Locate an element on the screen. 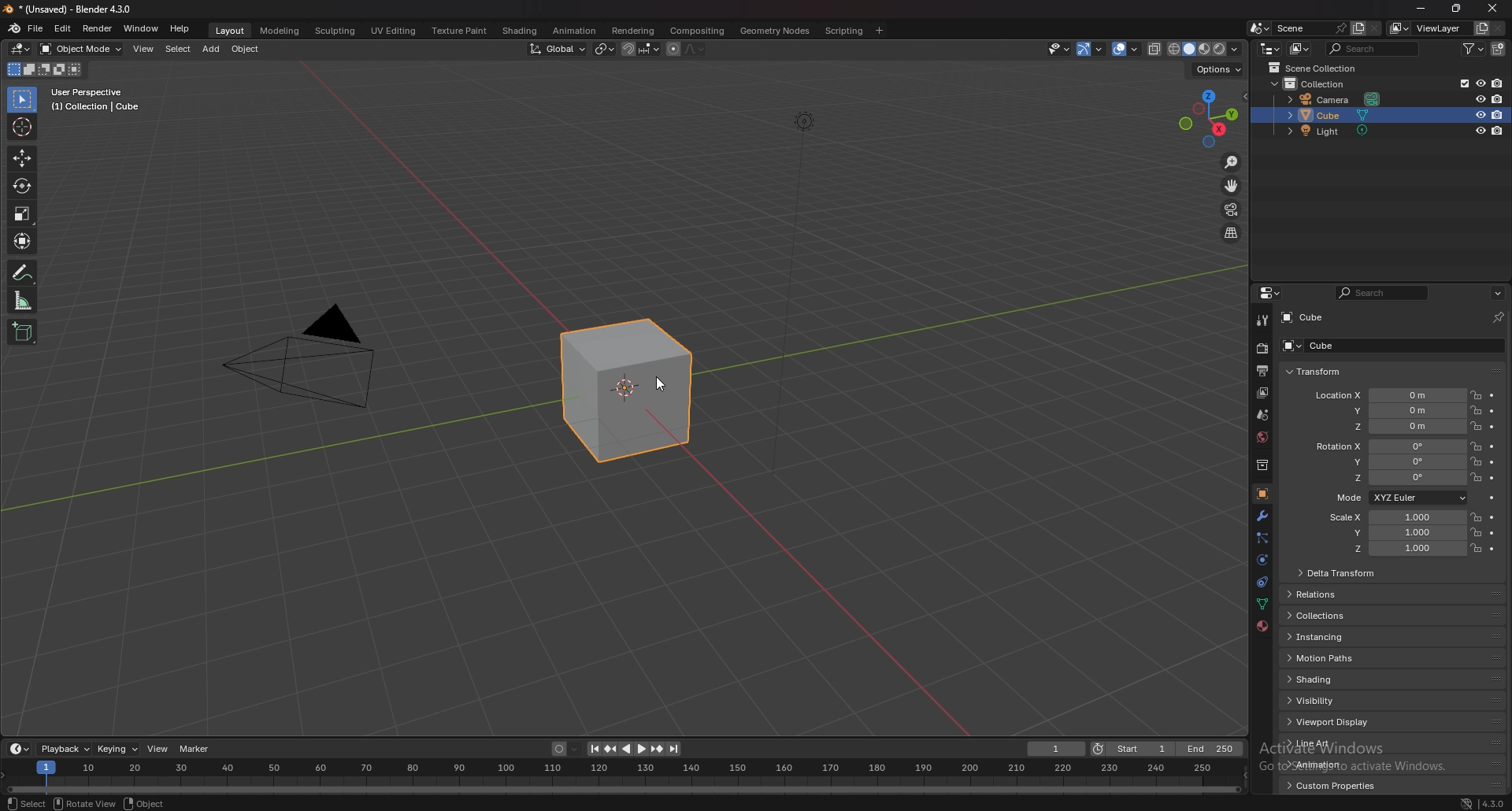 The image size is (1512, 811). animate property is located at coordinates (1493, 479).